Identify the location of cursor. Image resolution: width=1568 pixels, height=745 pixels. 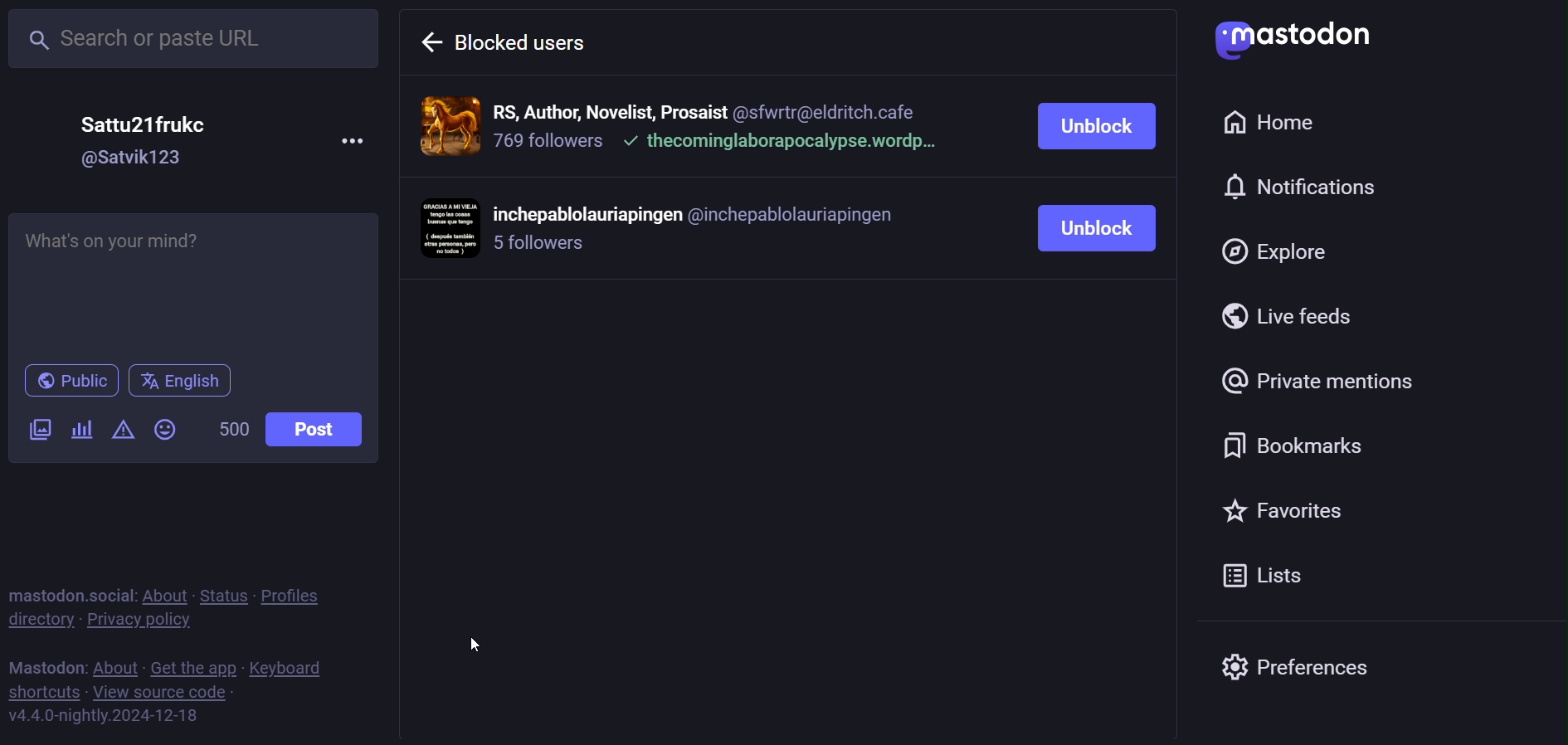
(476, 643).